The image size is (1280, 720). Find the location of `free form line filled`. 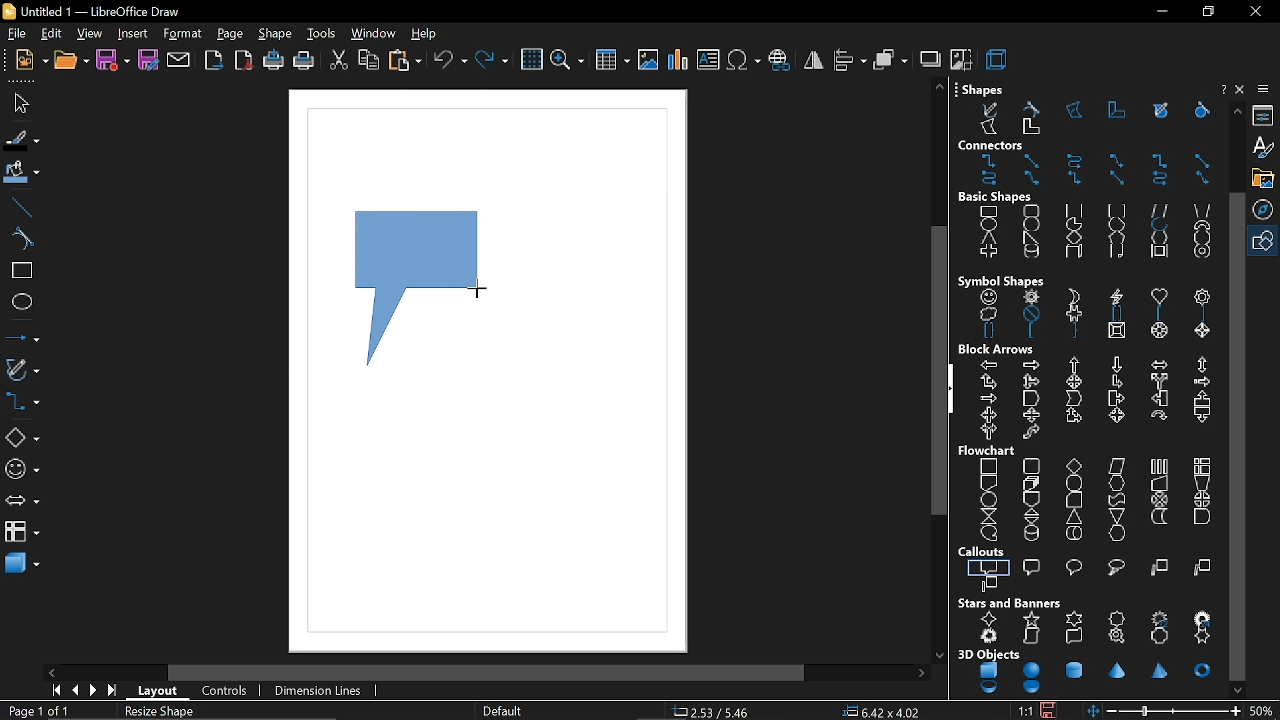

free form line filled is located at coordinates (1161, 110).